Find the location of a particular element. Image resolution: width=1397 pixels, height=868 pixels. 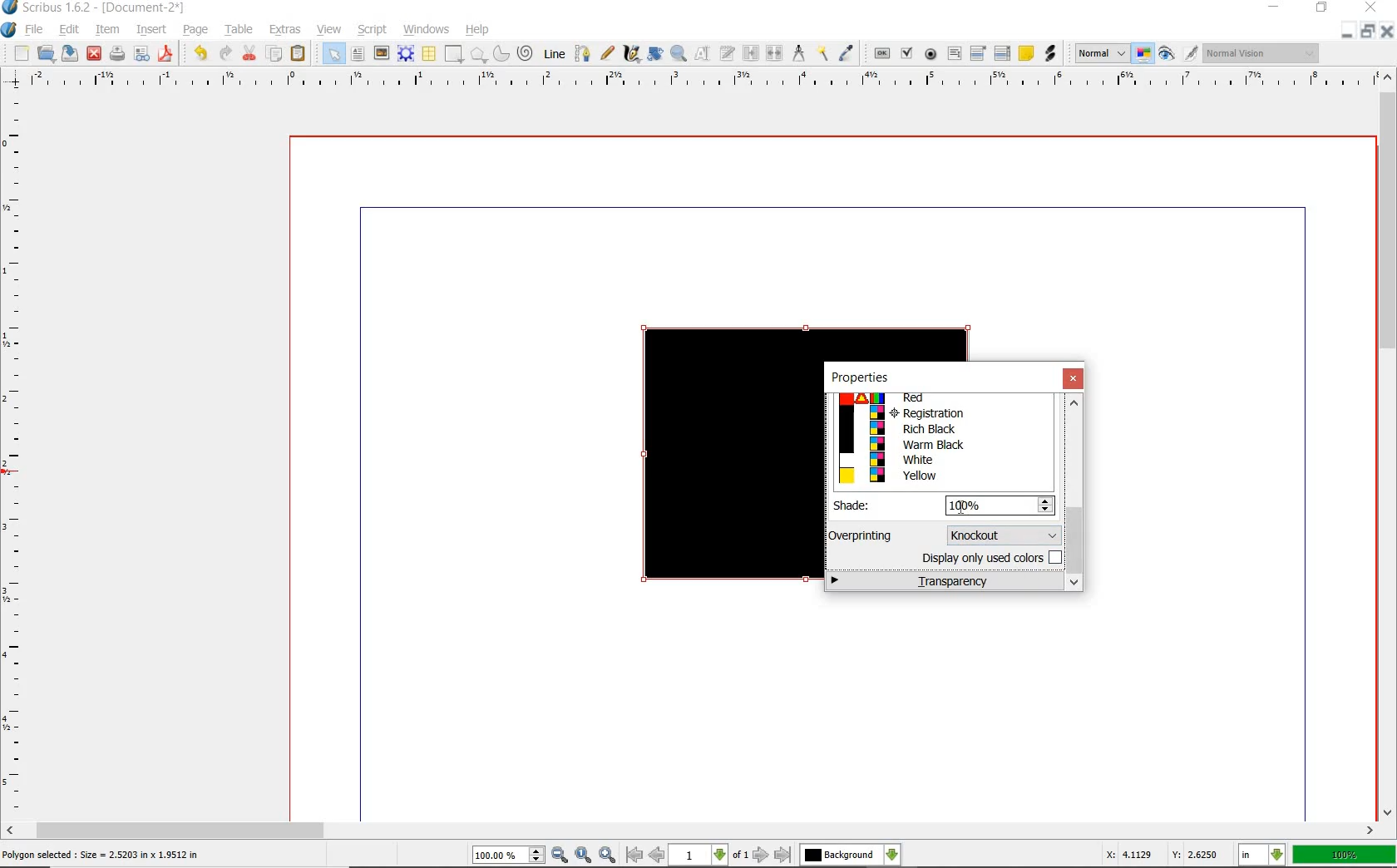

ruler is located at coordinates (696, 81).